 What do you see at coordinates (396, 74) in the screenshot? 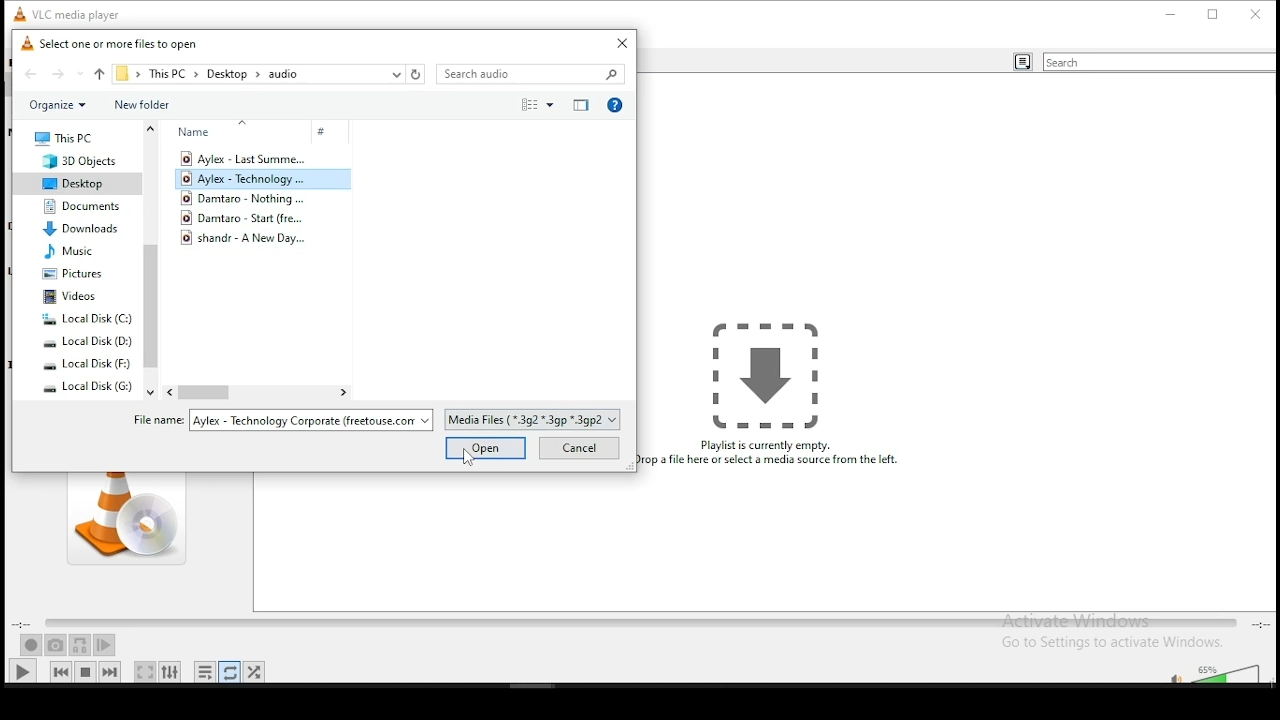
I see `recent locations` at bounding box center [396, 74].